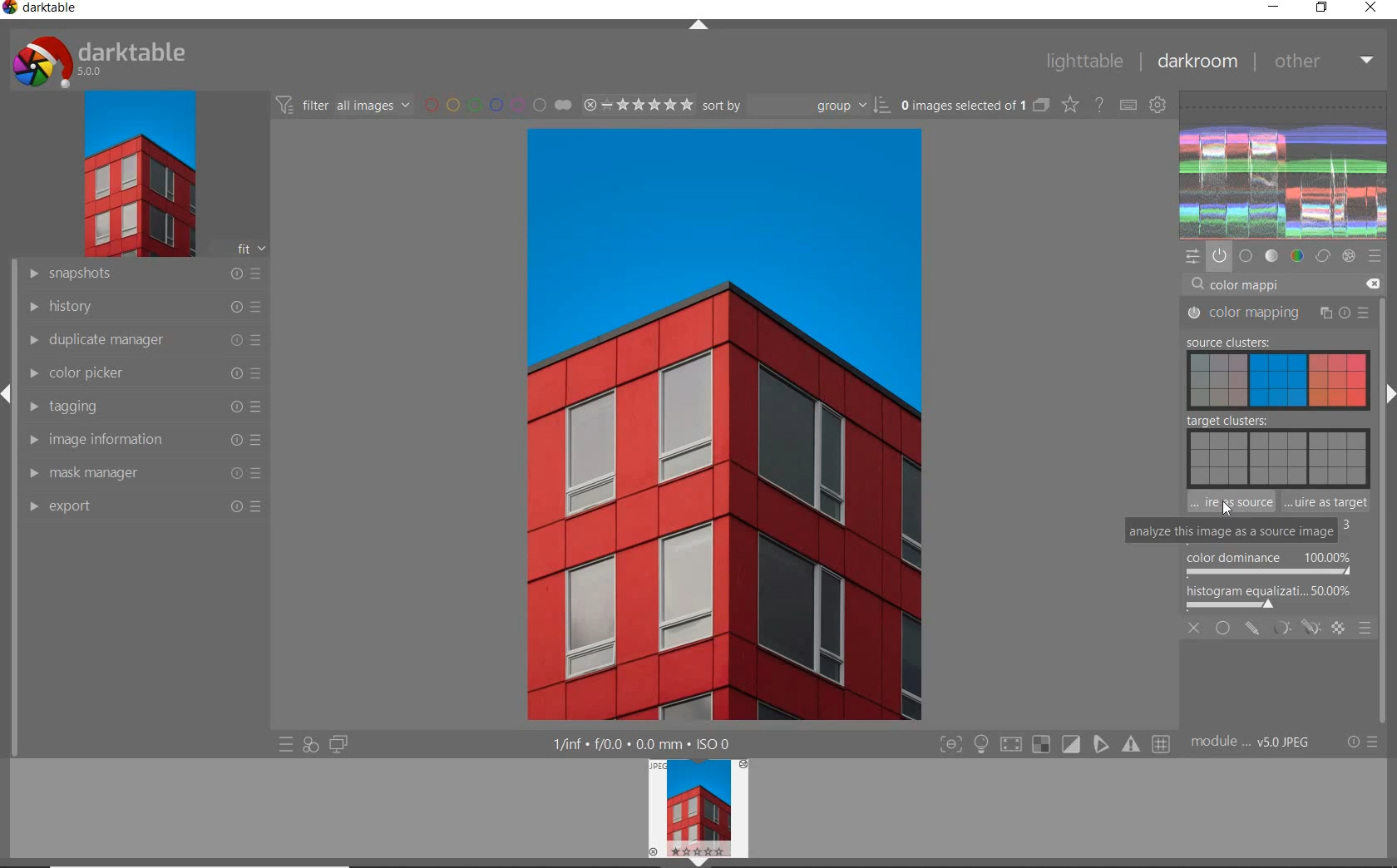  I want to click on image preview, so click(697, 813).